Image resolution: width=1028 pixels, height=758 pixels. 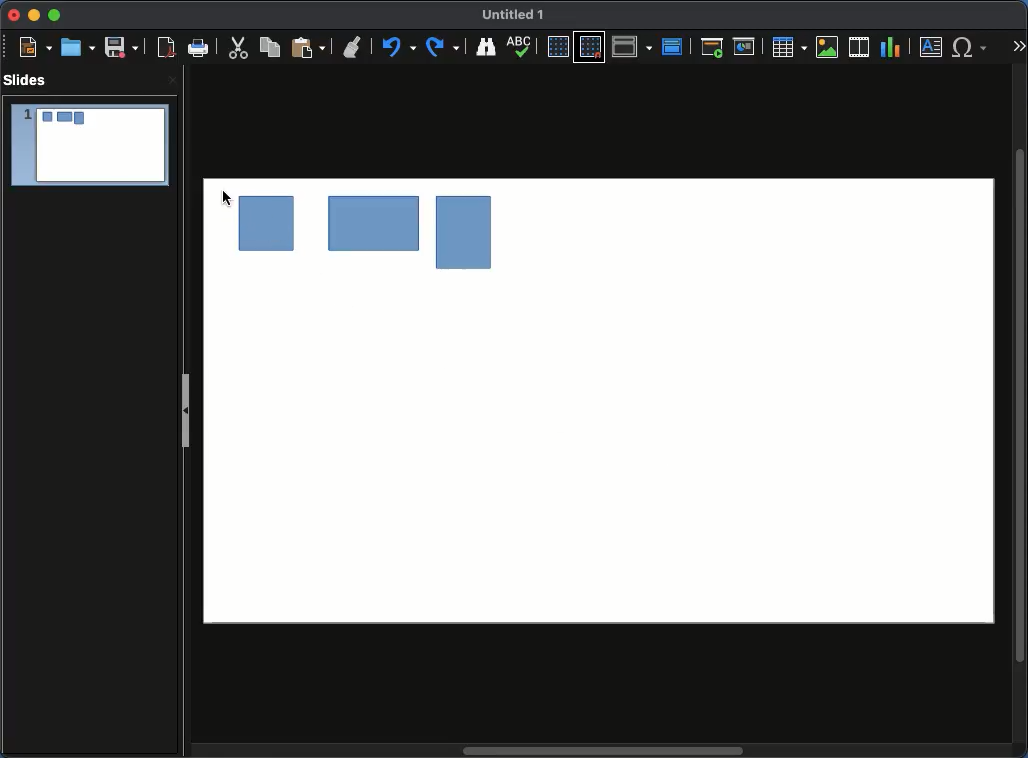 What do you see at coordinates (590, 48) in the screenshot?
I see `Snap to grid` at bounding box center [590, 48].